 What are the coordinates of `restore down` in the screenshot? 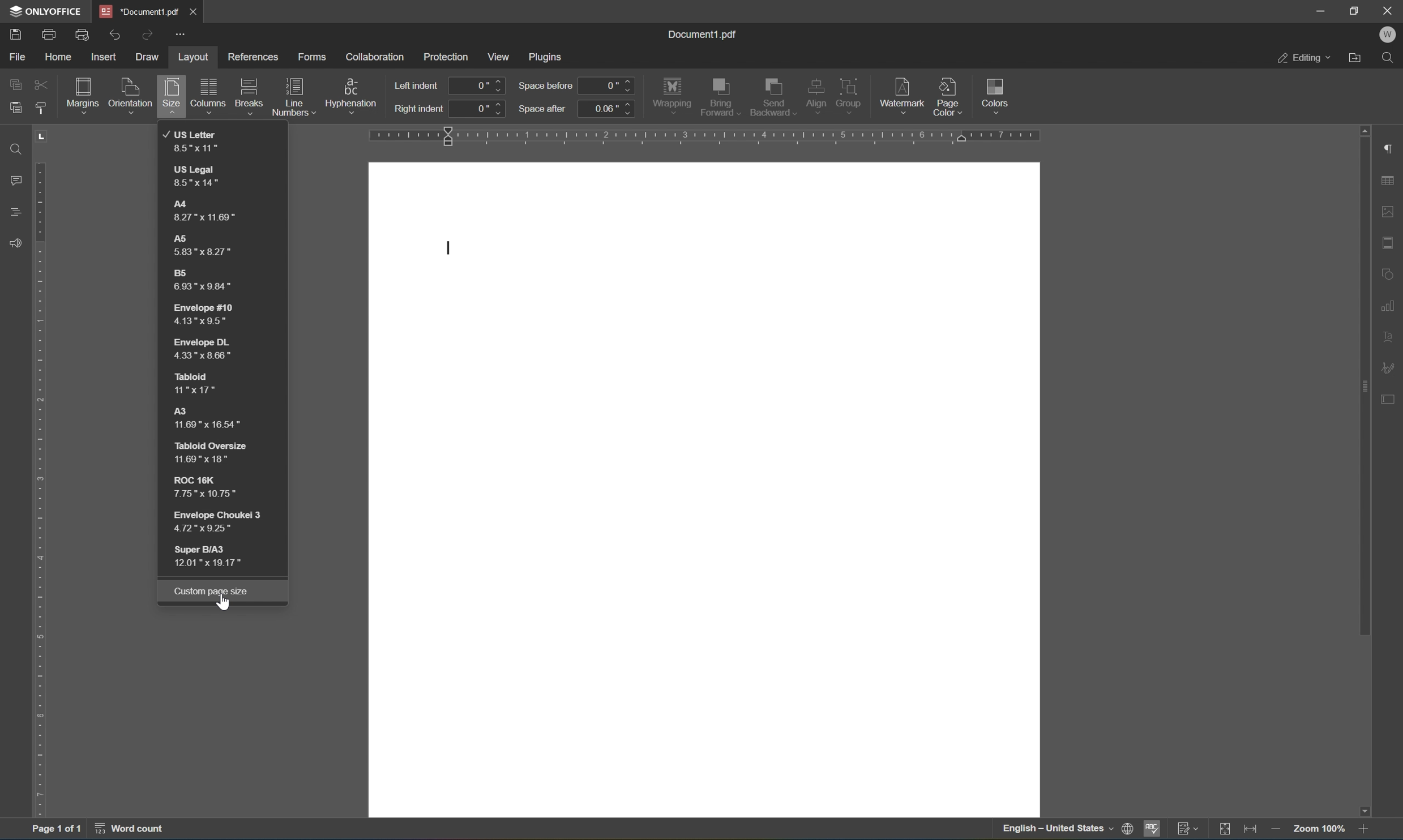 It's located at (1356, 9).